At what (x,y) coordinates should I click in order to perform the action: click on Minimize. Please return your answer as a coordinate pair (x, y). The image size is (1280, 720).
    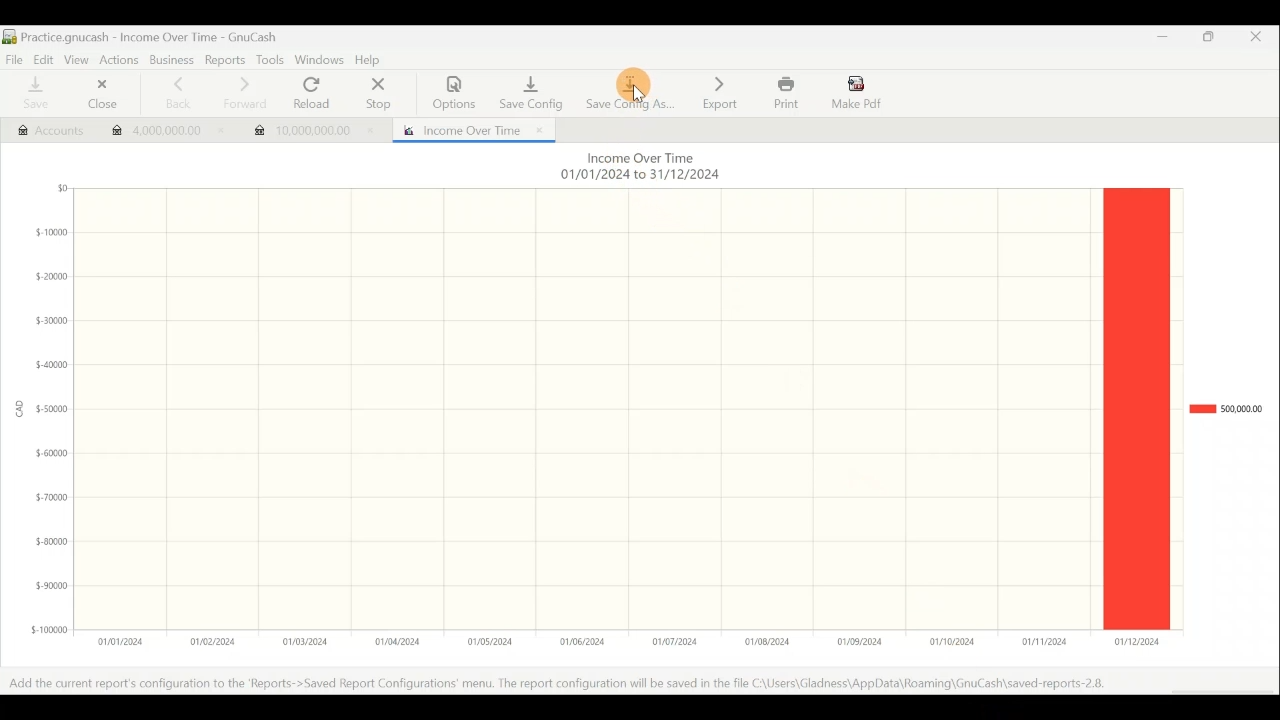
    Looking at the image, I should click on (1156, 42).